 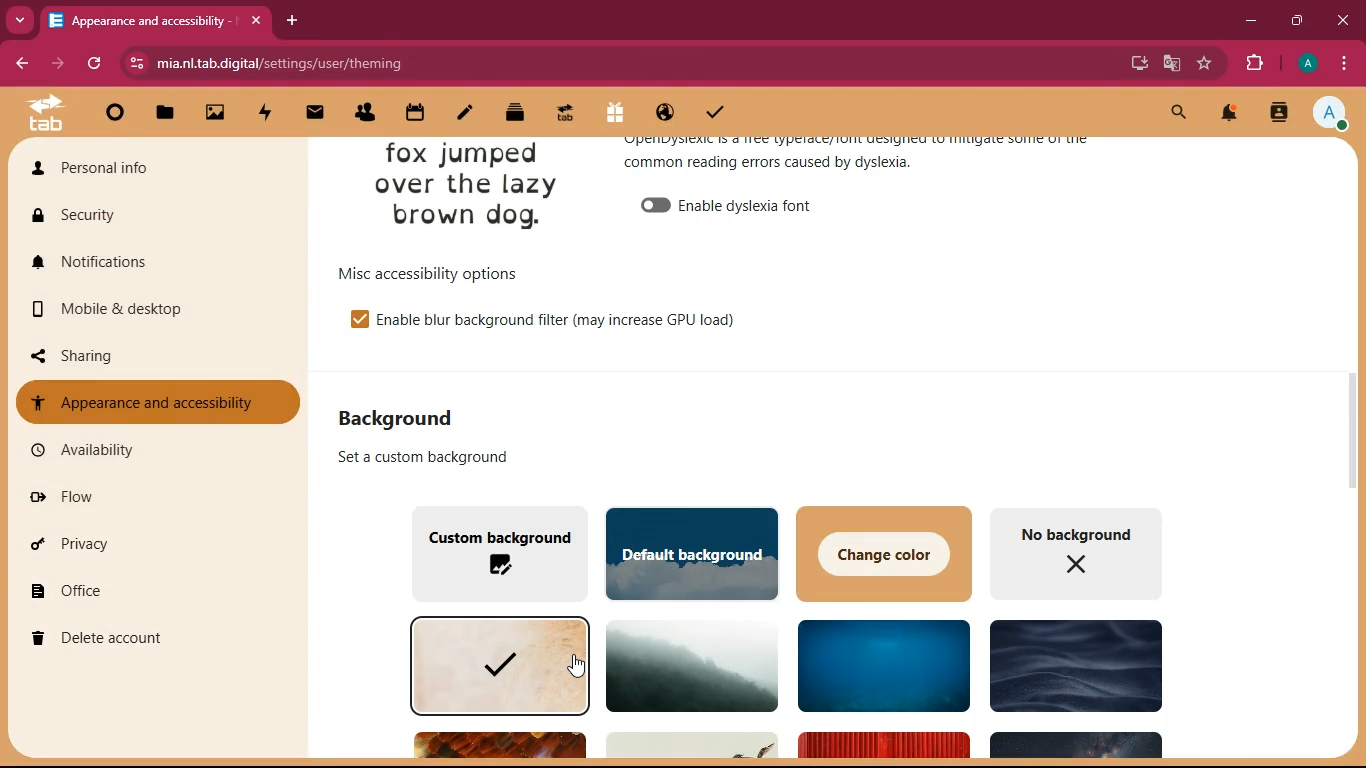 I want to click on office, so click(x=152, y=589).